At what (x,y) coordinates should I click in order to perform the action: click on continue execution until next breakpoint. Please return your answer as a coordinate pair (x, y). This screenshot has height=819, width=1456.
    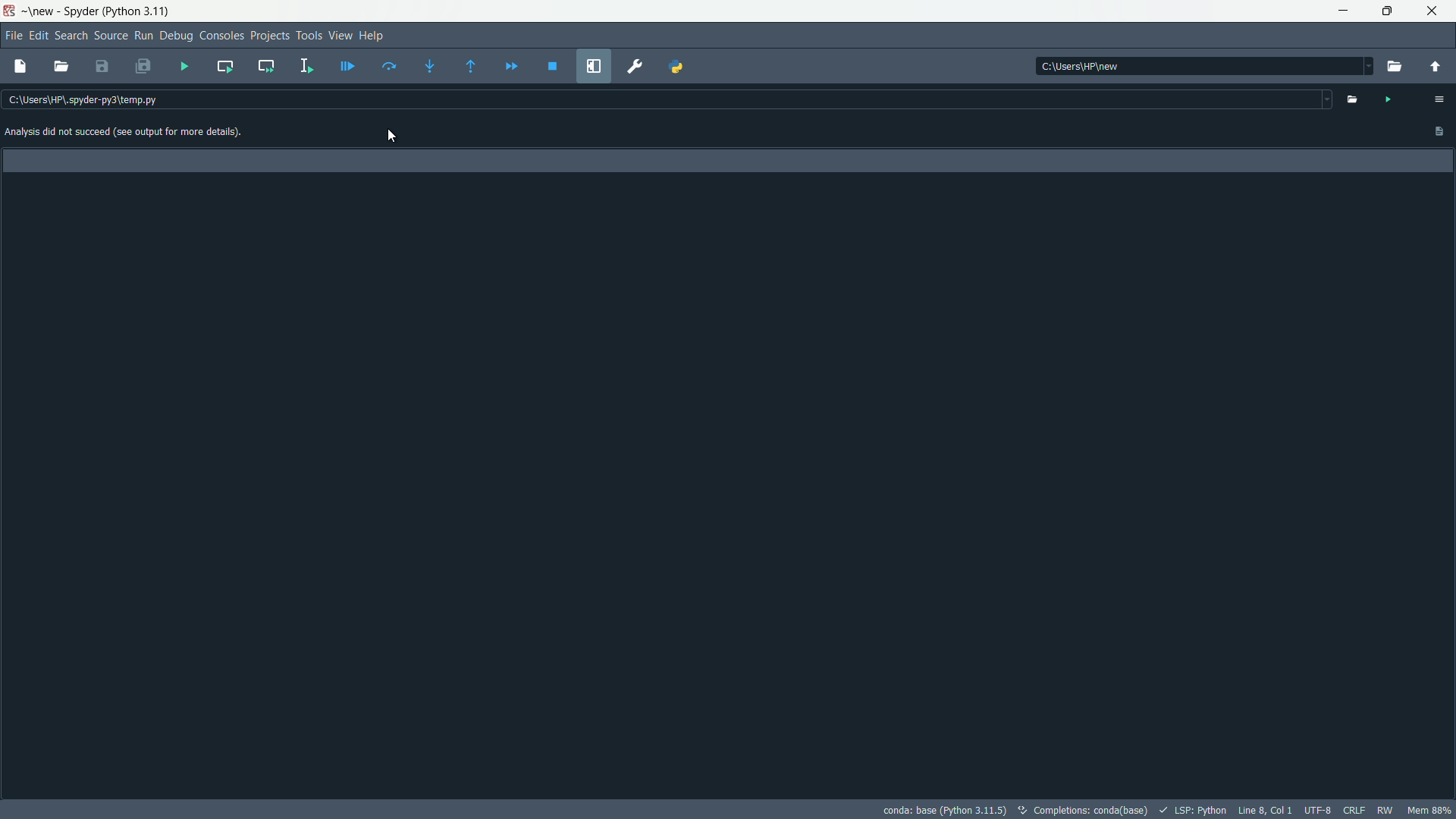
    Looking at the image, I should click on (511, 67).